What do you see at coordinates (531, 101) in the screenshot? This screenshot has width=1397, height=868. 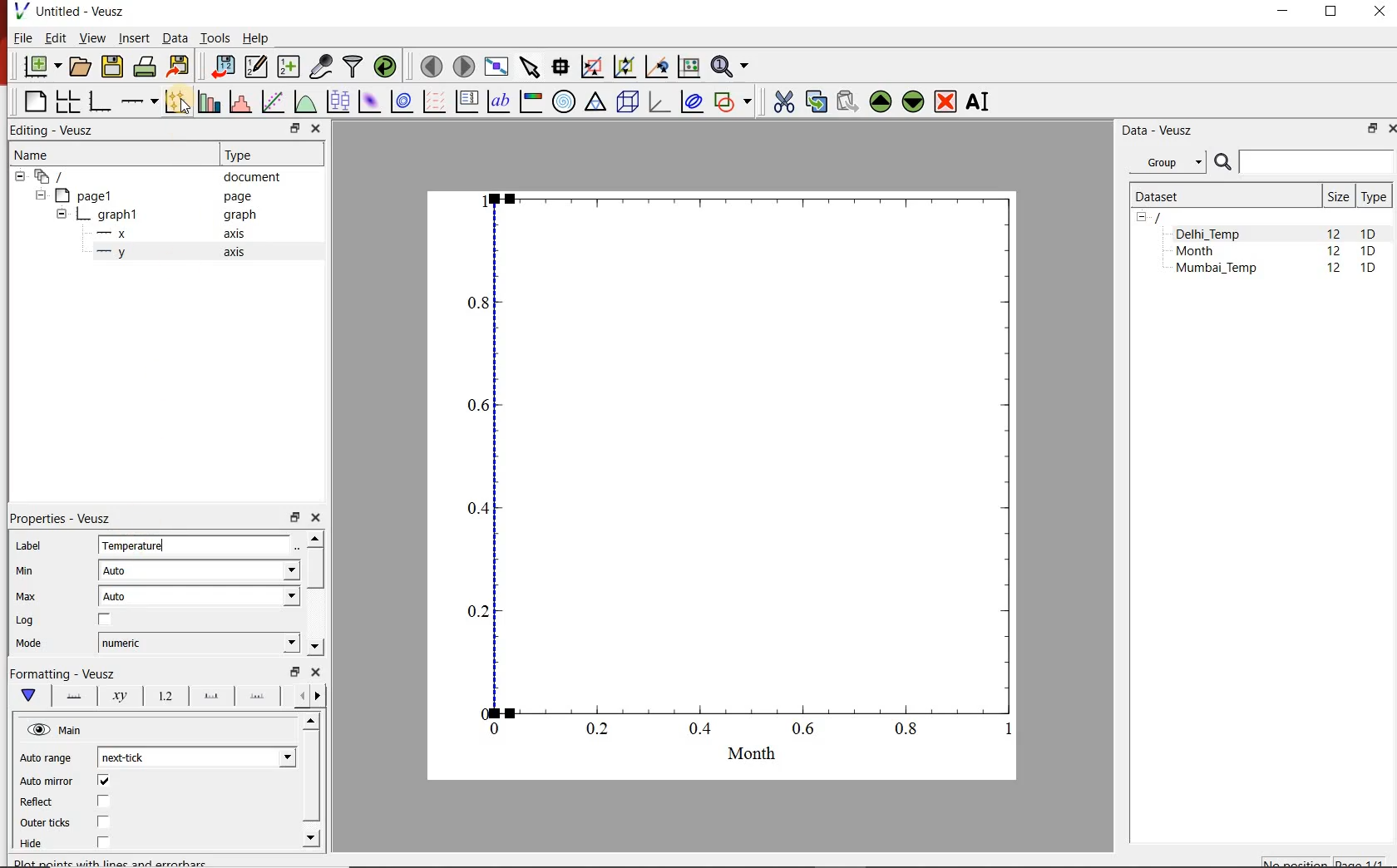 I see `image color bar` at bounding box center [531, 101].